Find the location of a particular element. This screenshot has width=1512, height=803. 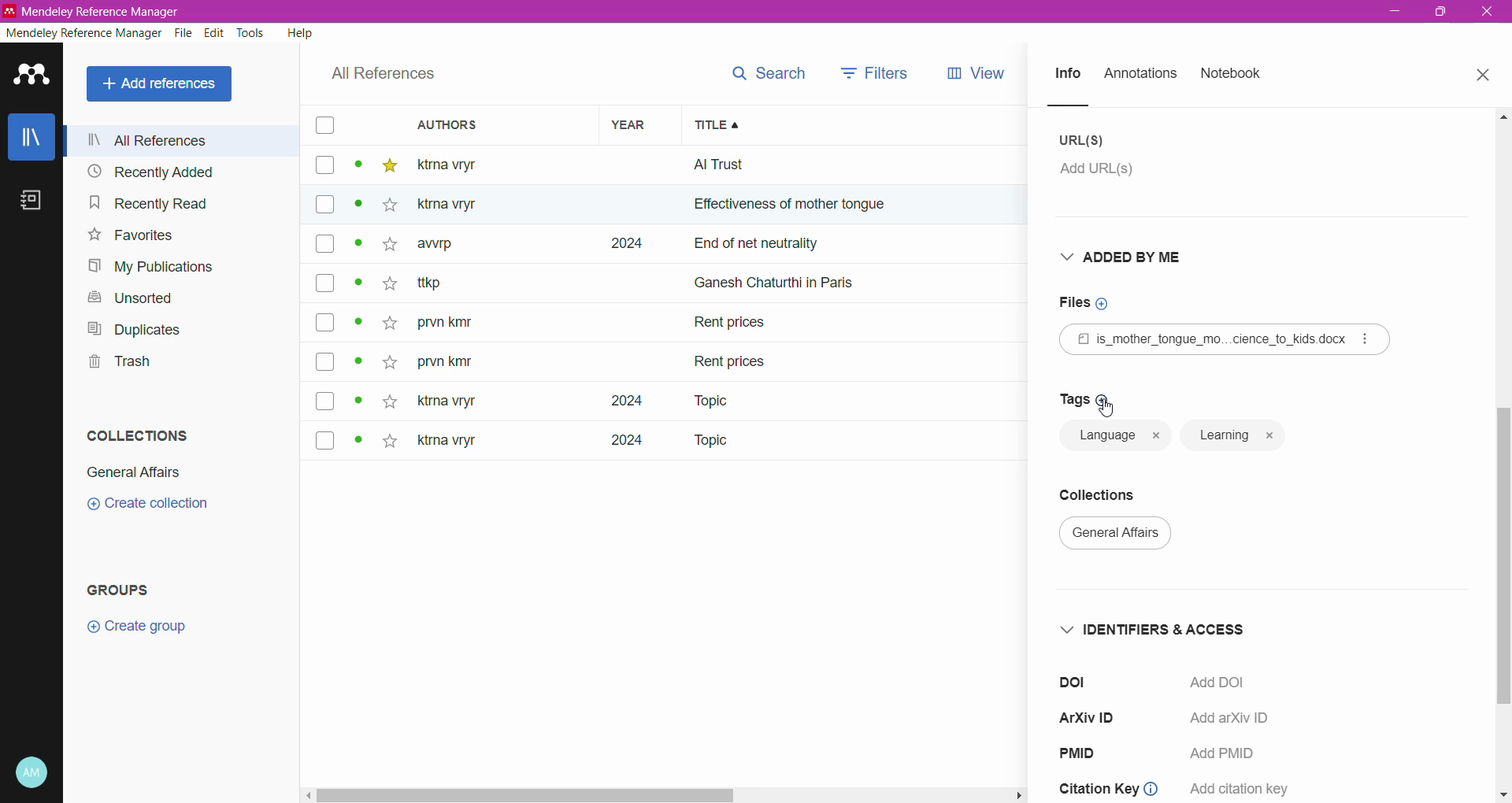

Cursor is located at coordinates (1107, 407).